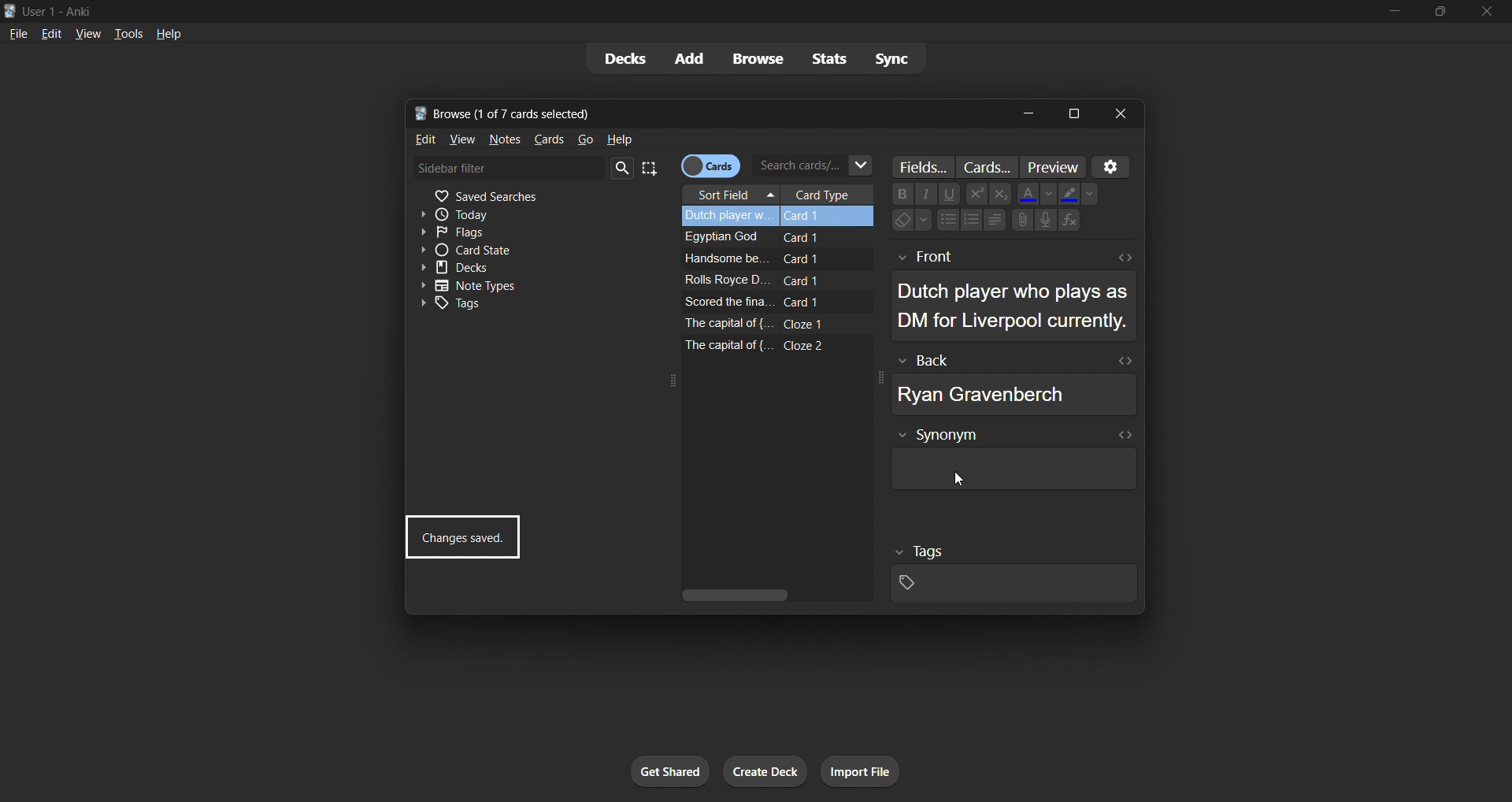  Describe the element at coordinates (624, 58) in the screenshot. I see `decks` at that location.